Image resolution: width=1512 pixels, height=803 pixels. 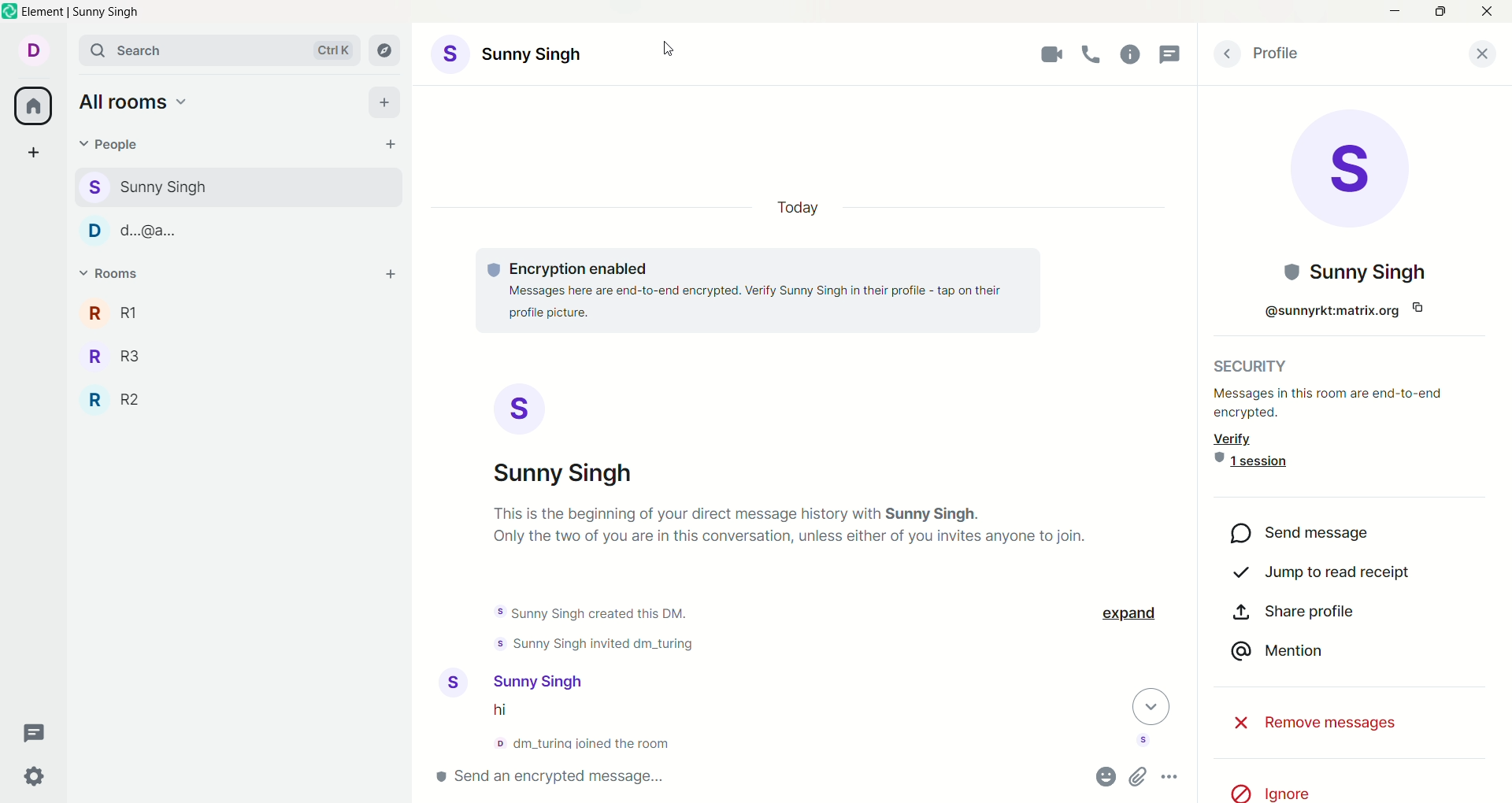 What do you see at coordinates (671, 48) in the screenshot?
I see `Mouse Cursor` at bounding box center [671, 48].